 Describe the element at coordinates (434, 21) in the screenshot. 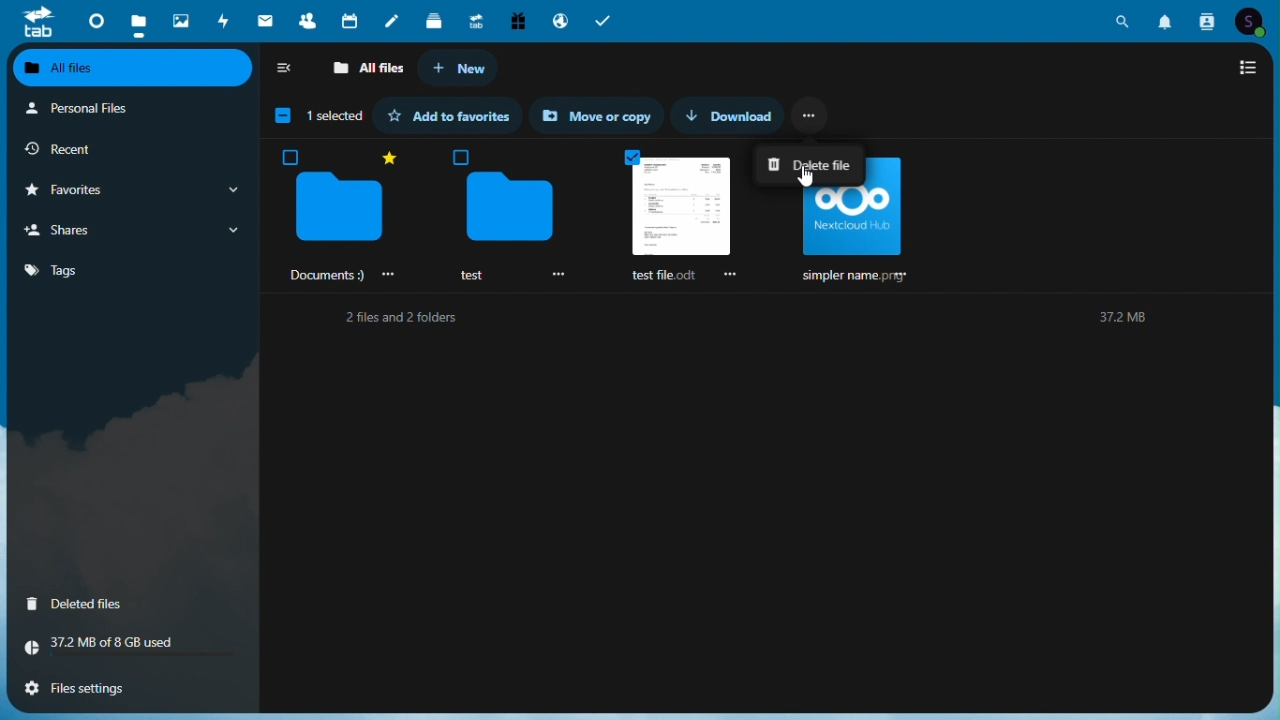

I see `deck` at that location.